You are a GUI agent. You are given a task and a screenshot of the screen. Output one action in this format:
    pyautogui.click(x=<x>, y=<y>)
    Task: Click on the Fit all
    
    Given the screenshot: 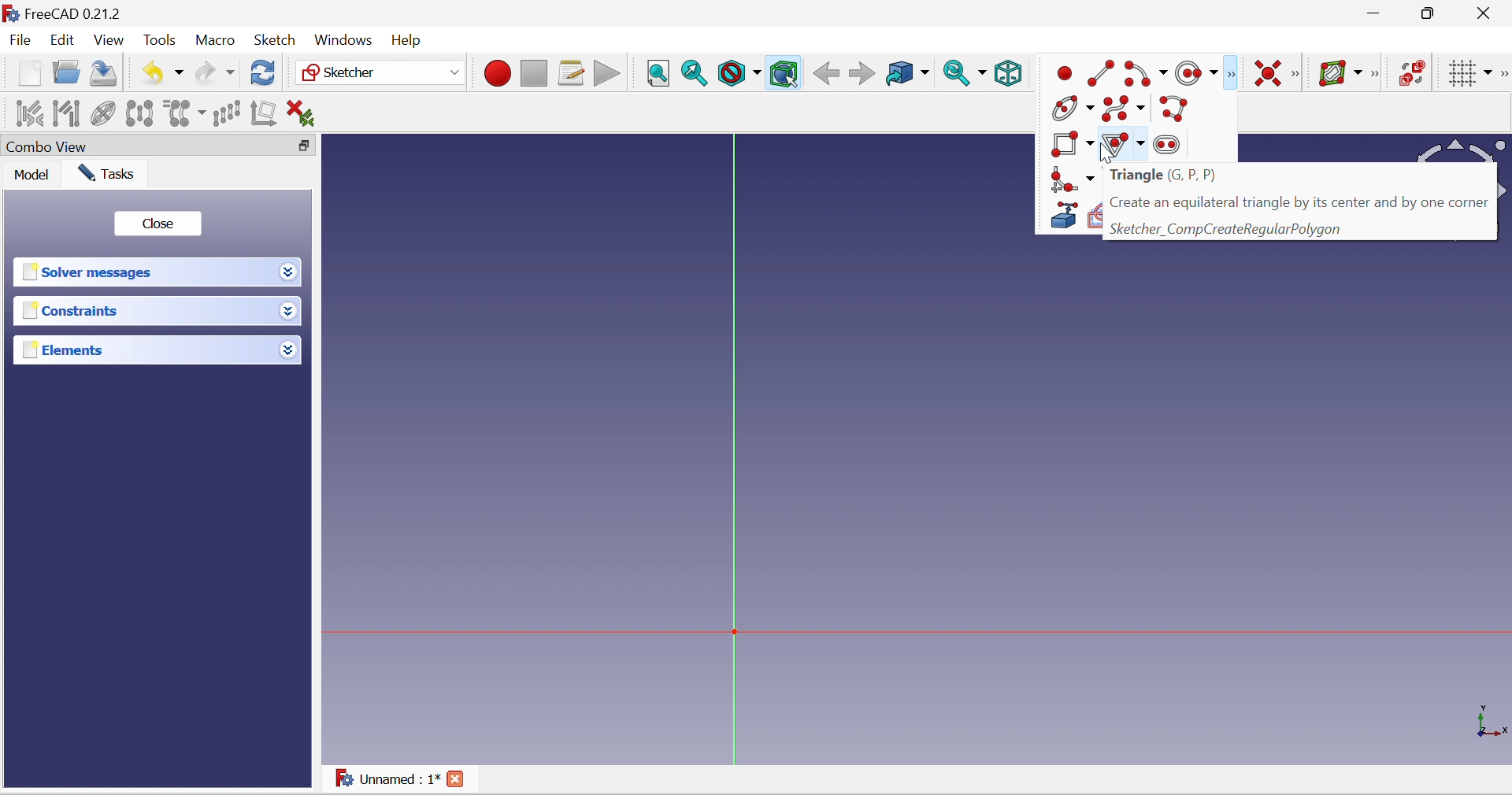 What is the action you would take?
    pyautogui.click(x=659, y=75)
    